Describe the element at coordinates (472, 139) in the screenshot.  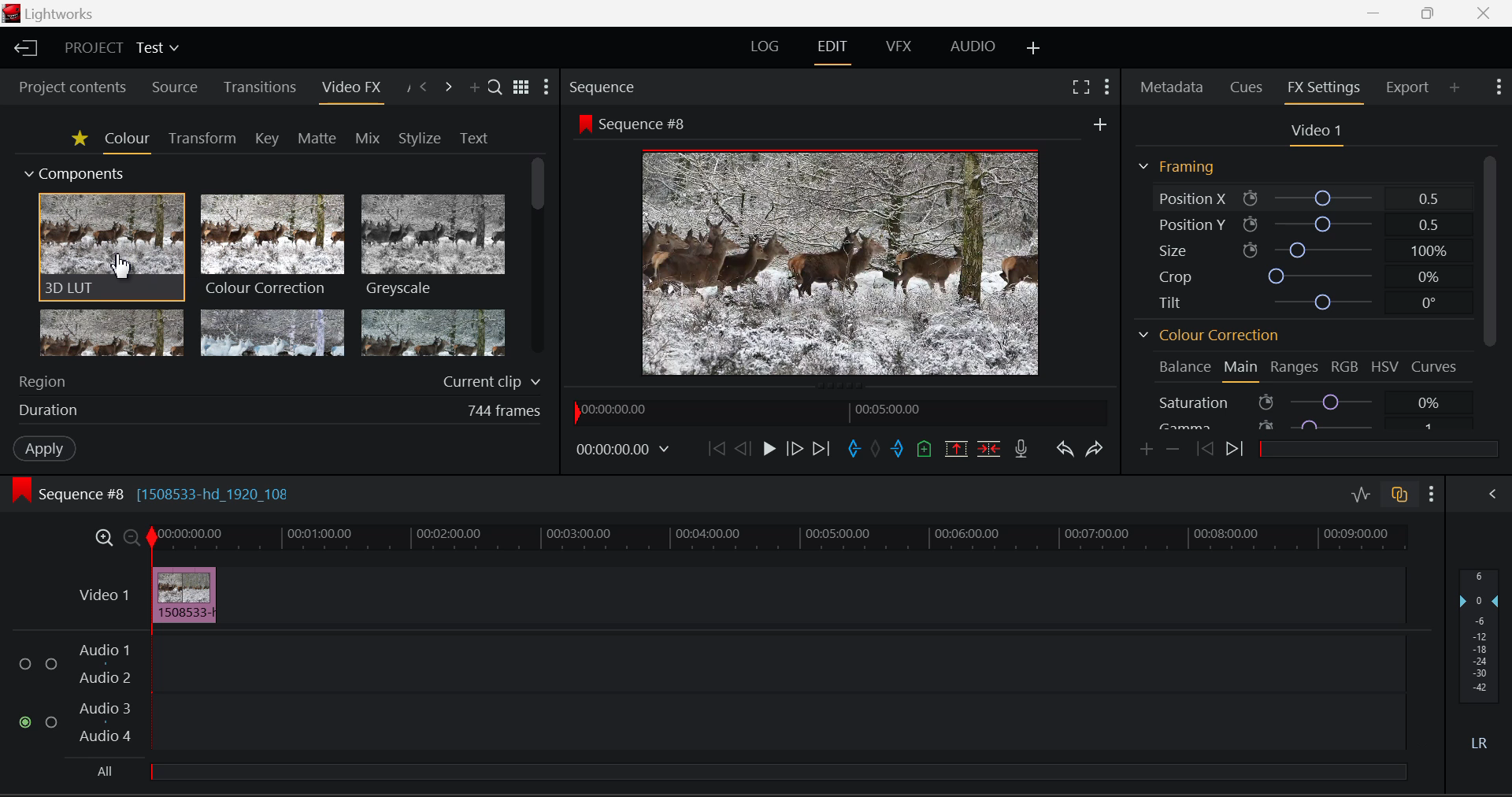
I see `Text` at that location.